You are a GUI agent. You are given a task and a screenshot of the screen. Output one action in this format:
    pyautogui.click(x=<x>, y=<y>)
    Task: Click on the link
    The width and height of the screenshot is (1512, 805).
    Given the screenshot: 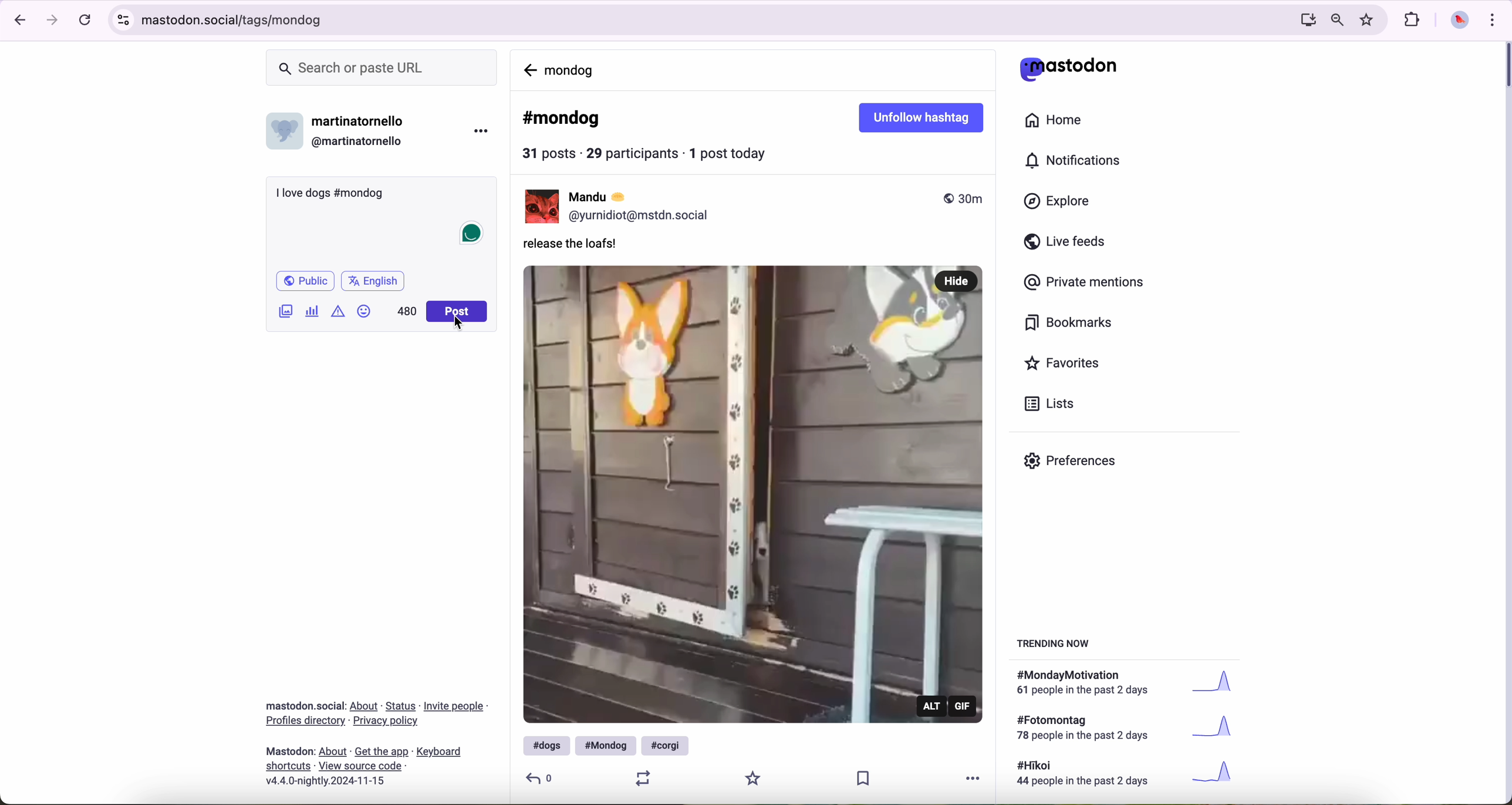 What is the action you would take?
    pyautogui.click(x=305, y=722)
    